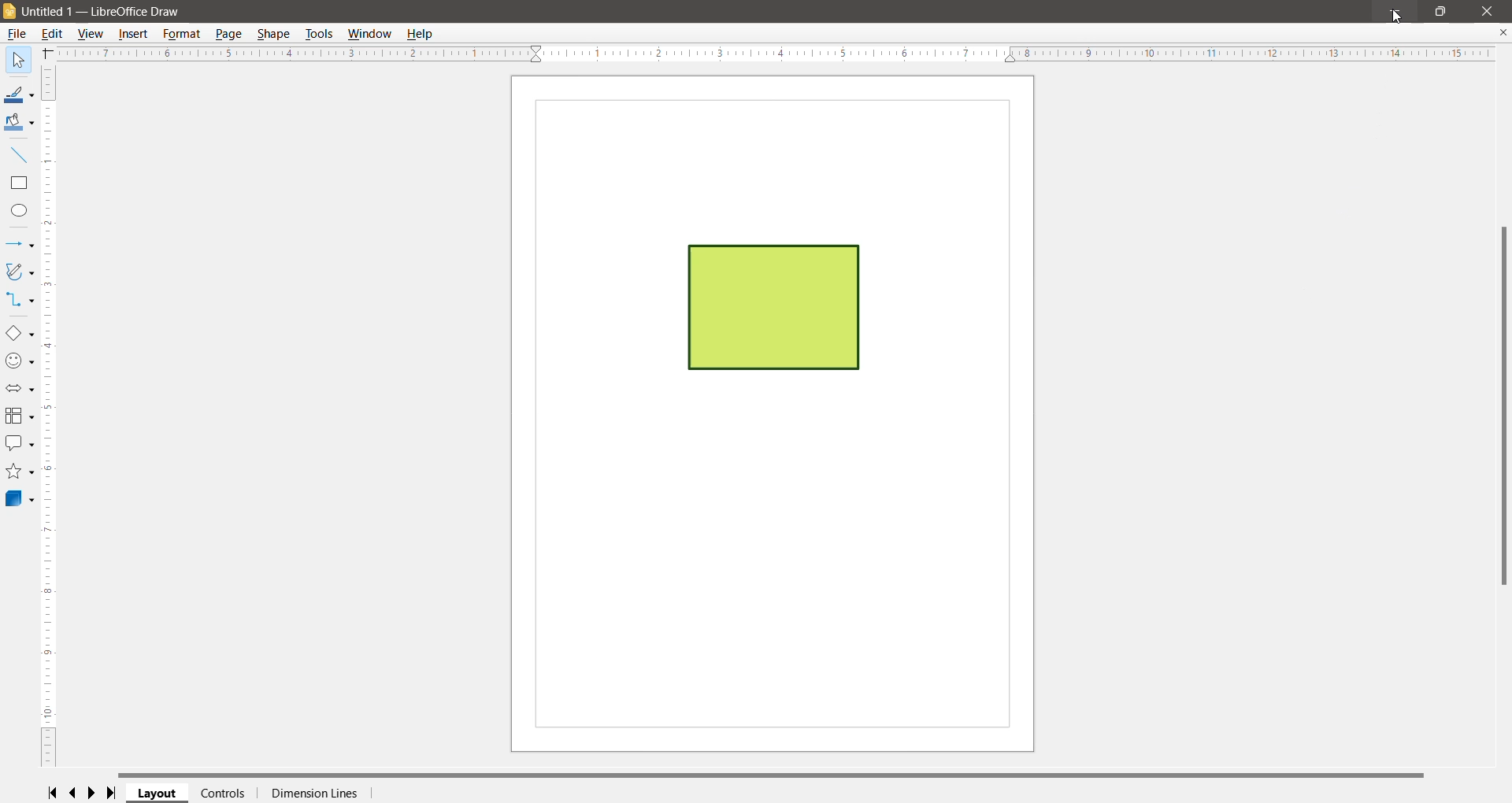  I want to click on Callout Shapes, so click(19, 445).